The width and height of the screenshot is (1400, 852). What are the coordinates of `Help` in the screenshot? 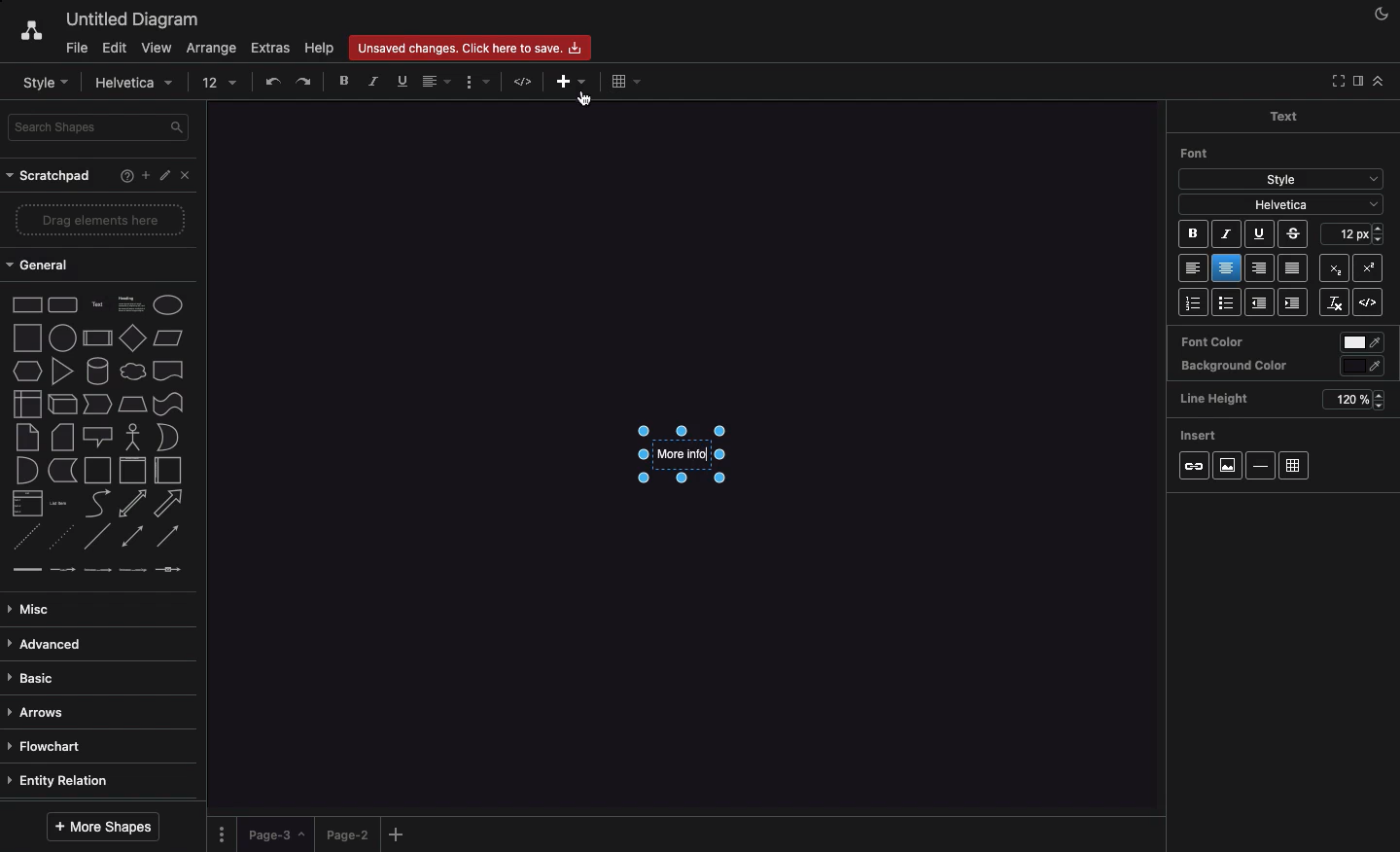 It's located at (122, 178).